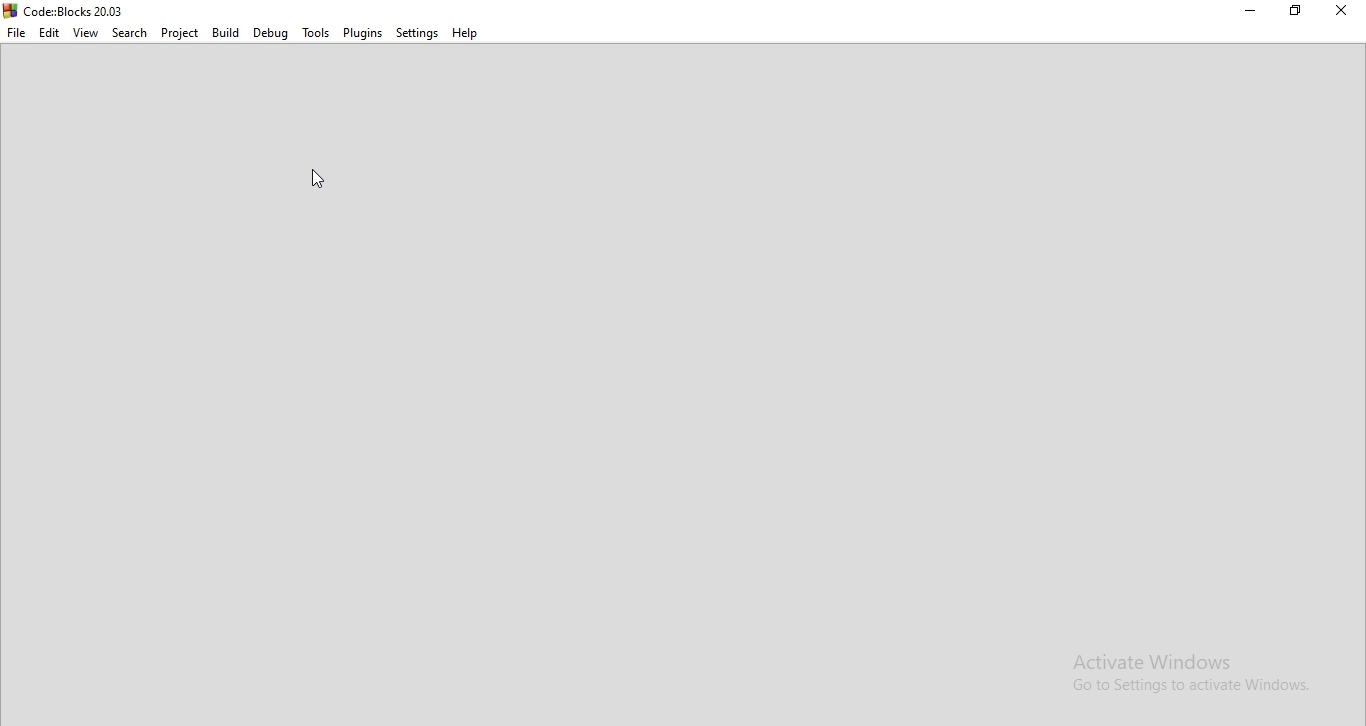  What do you see at coordinates (416, 32) in the screenshot?
I see `Settings ` at bounding box center [416, 32].